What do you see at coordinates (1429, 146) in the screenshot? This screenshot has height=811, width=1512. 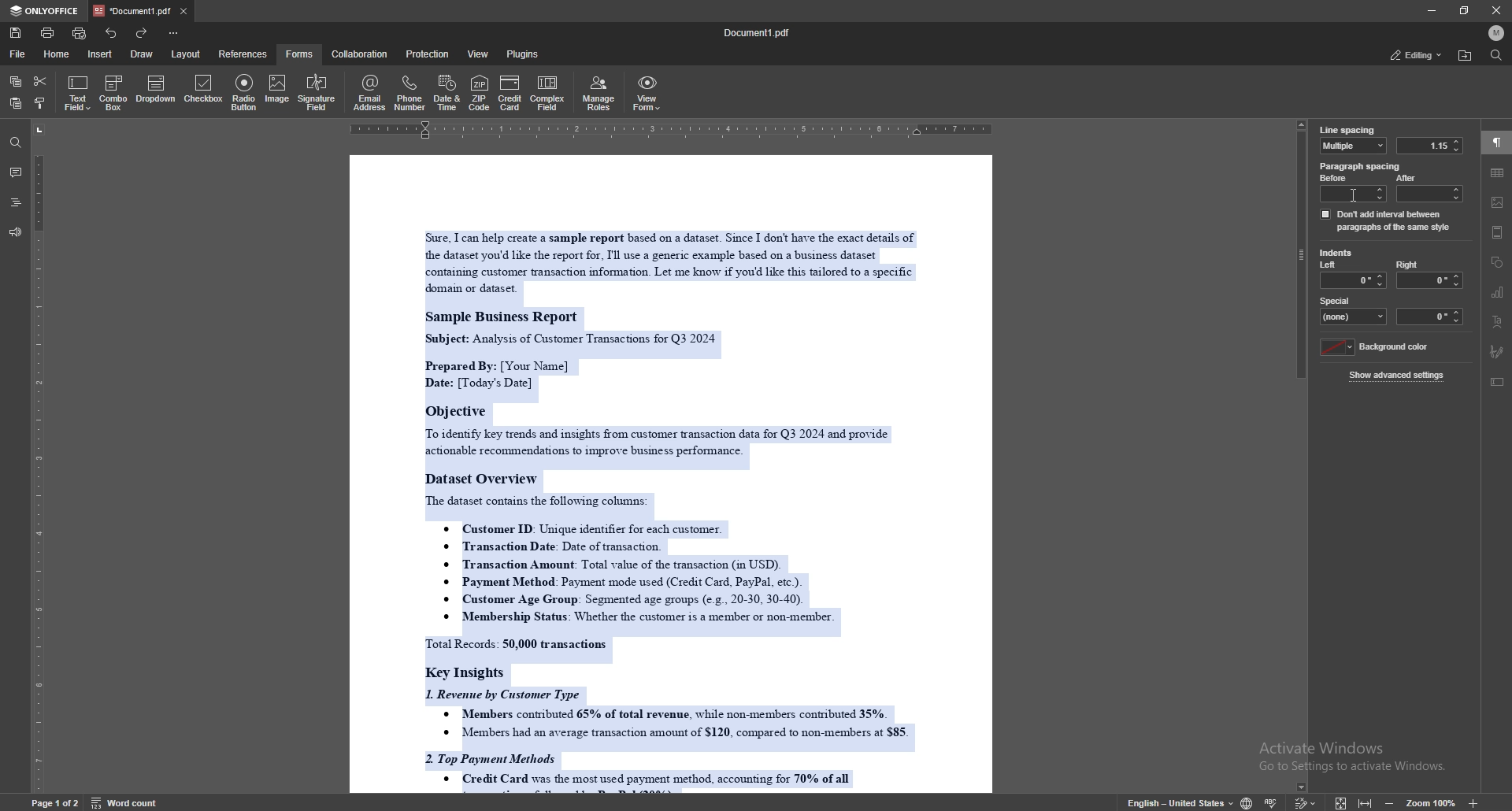 I see `line spacing value` at bounding box center [1429, 146].